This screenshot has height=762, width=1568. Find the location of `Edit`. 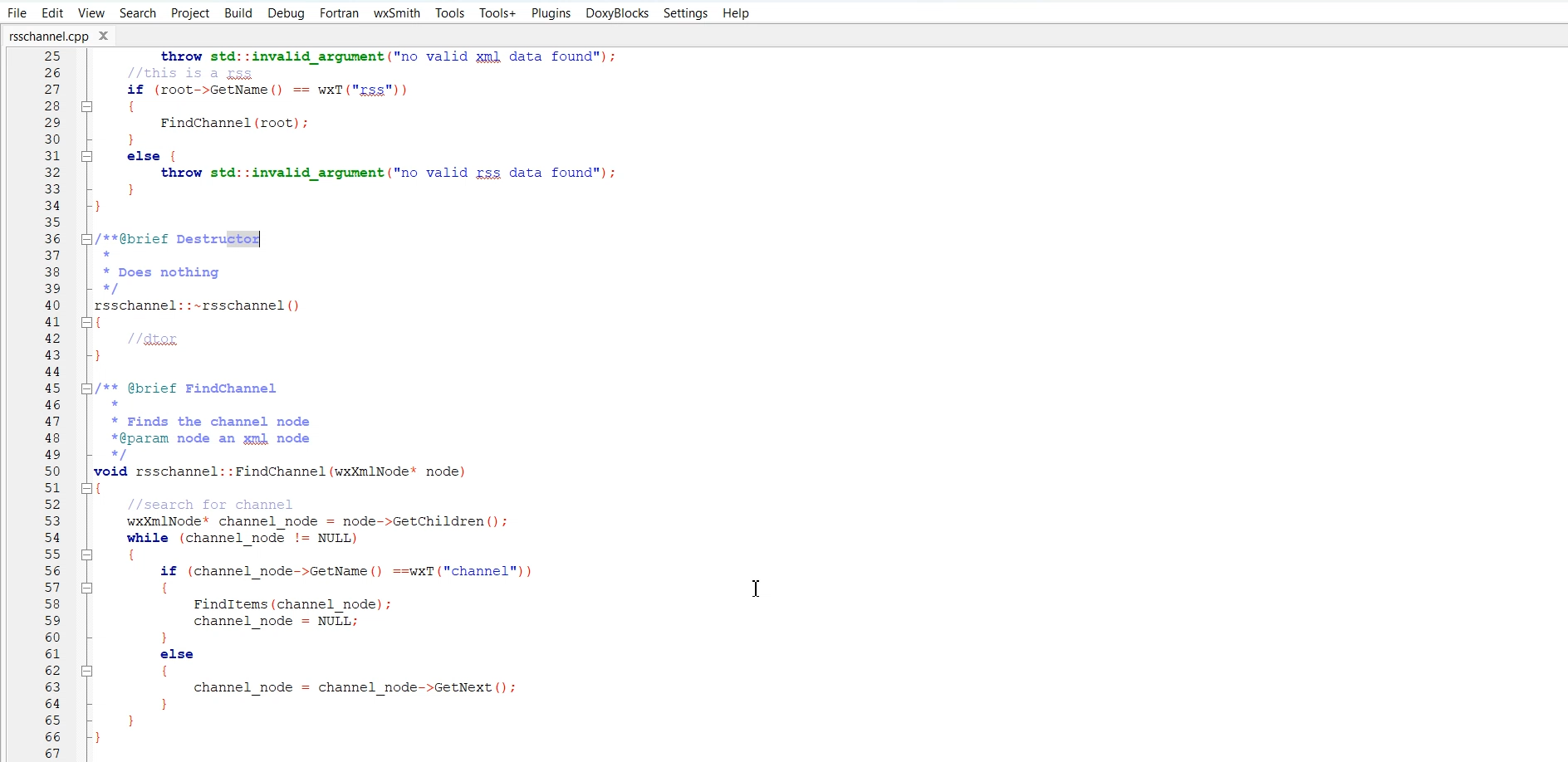

Edit is located at coordinates (51, 12).